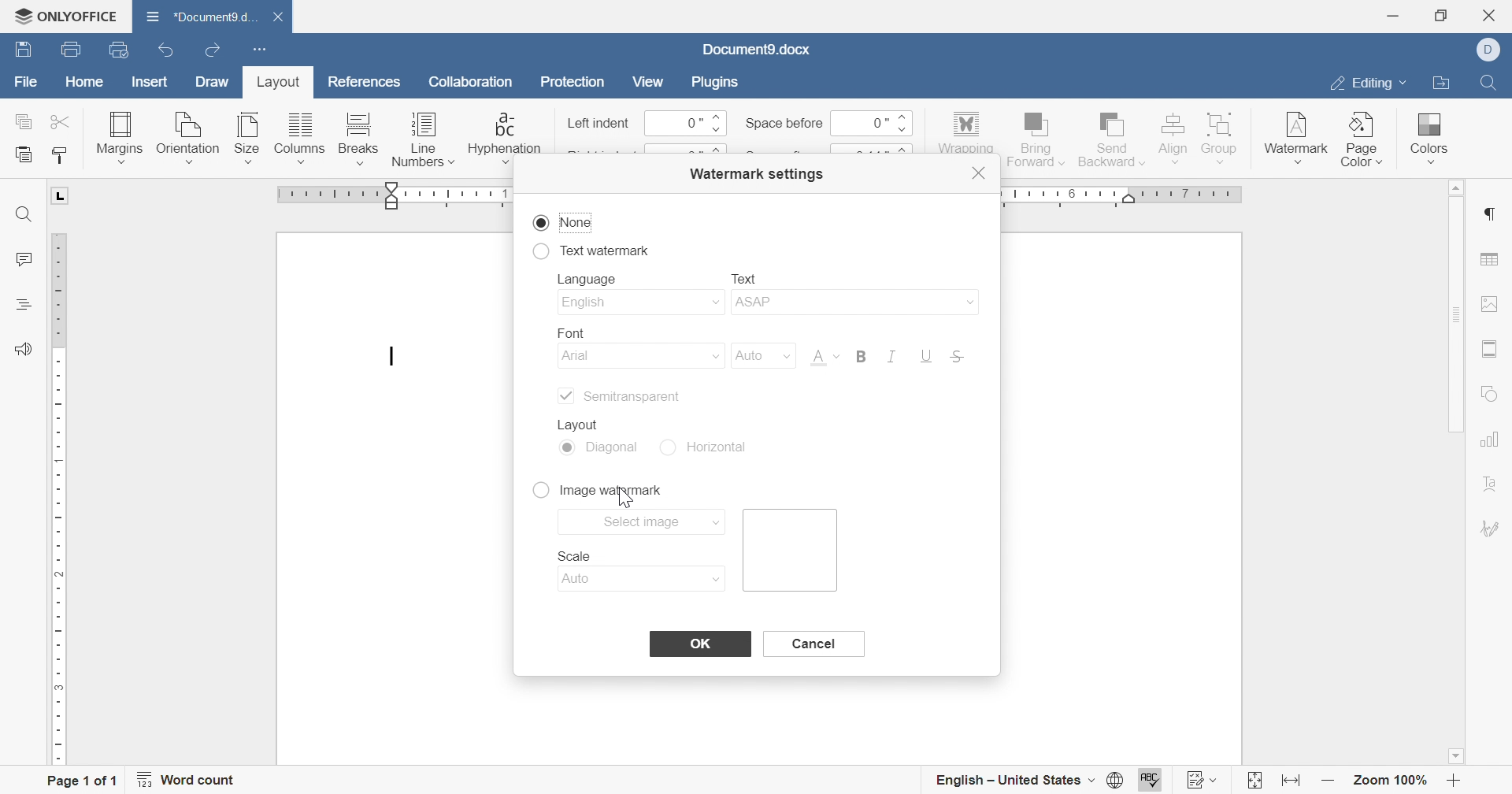  What do you see at coordinates (563, 223) in the screenshot?
I see `none` at bounding box center [563, 223].